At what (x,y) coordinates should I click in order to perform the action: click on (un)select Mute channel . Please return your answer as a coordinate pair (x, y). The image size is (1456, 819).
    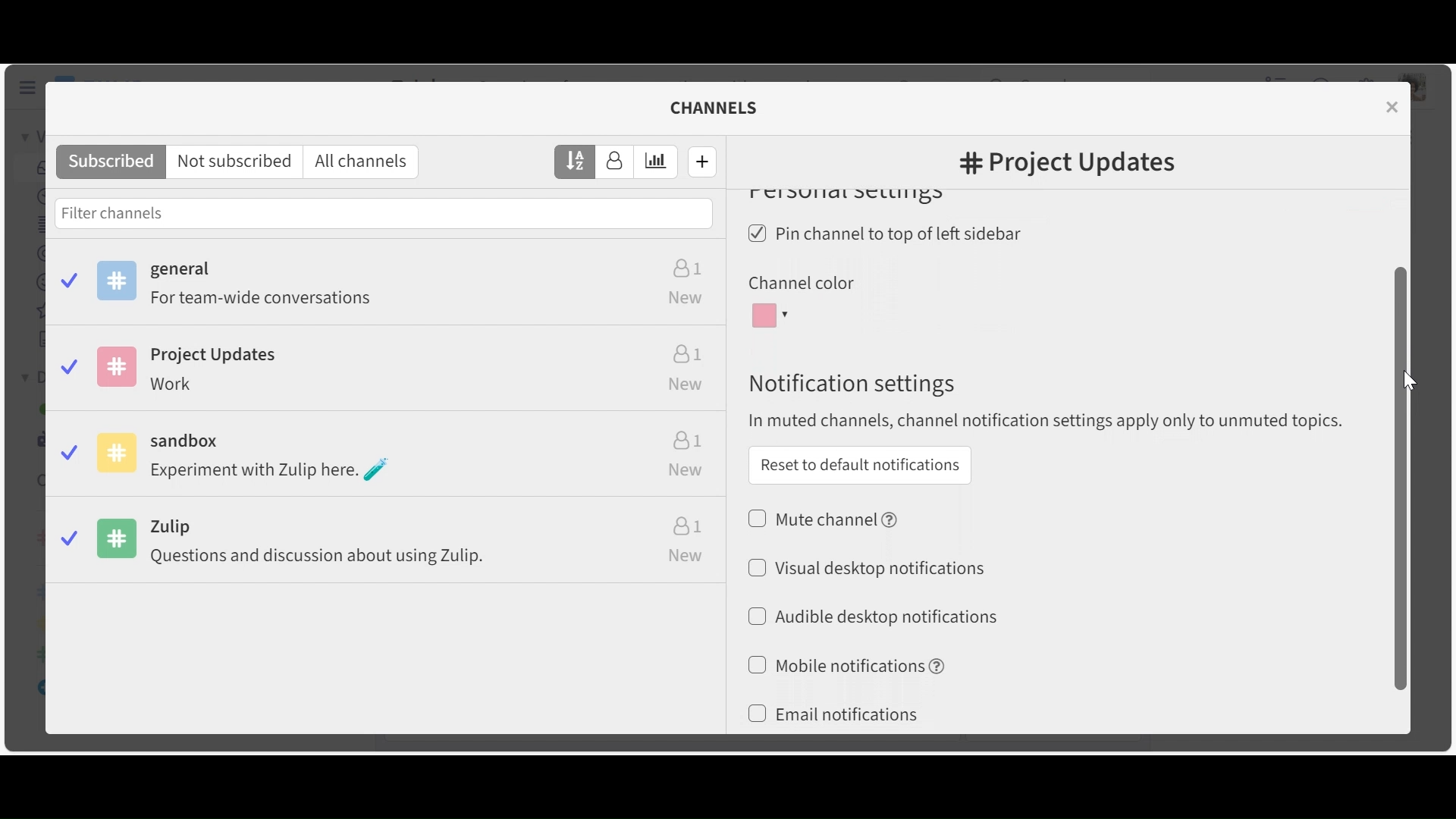
    Looking at the image, I should click on (825, 518).